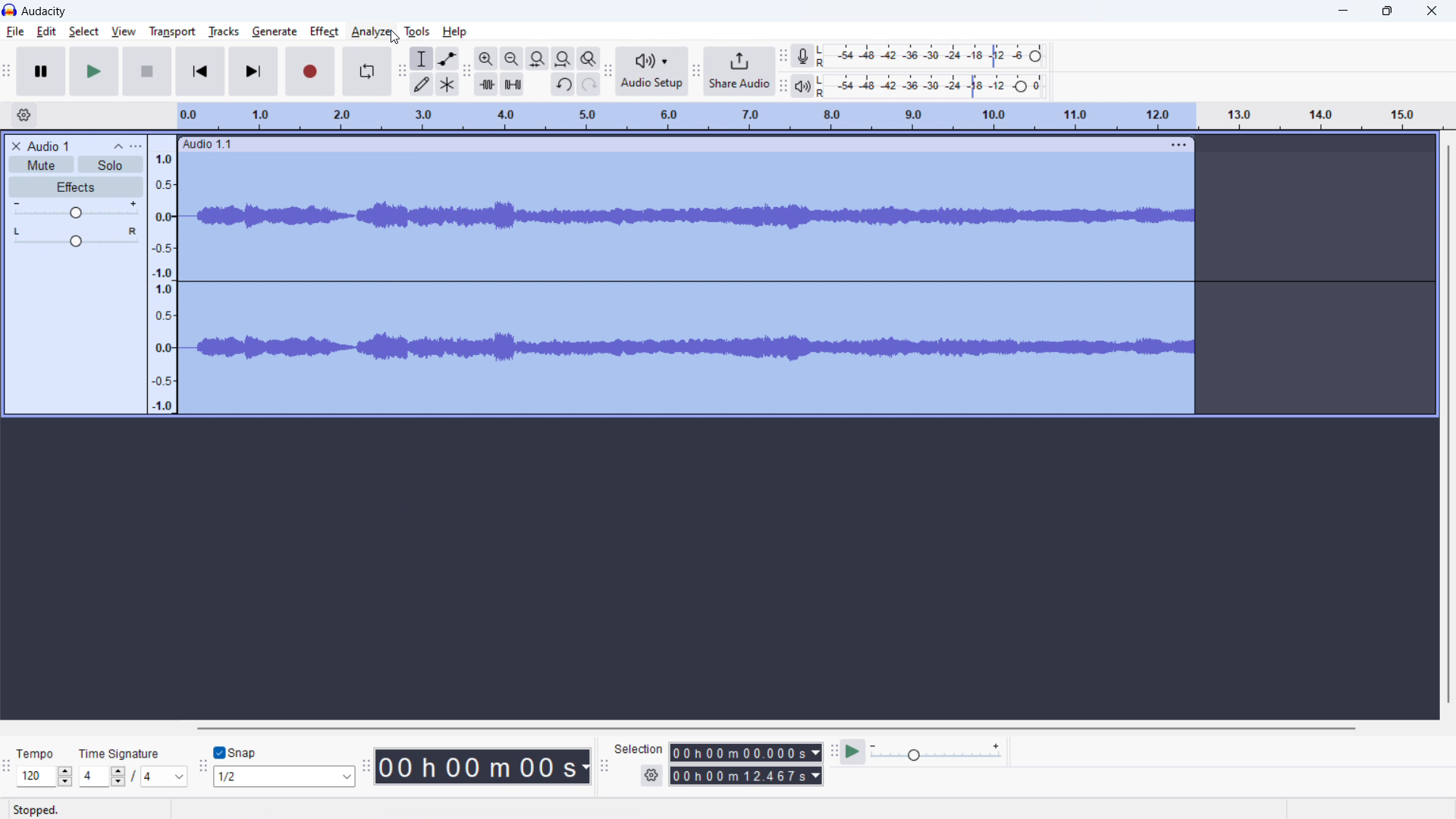 The width and height of the screenshot is (1456, 819). Describe the element at coordinates (783, 87) in the screenshot. I see `playback meter toolbar` at that location.